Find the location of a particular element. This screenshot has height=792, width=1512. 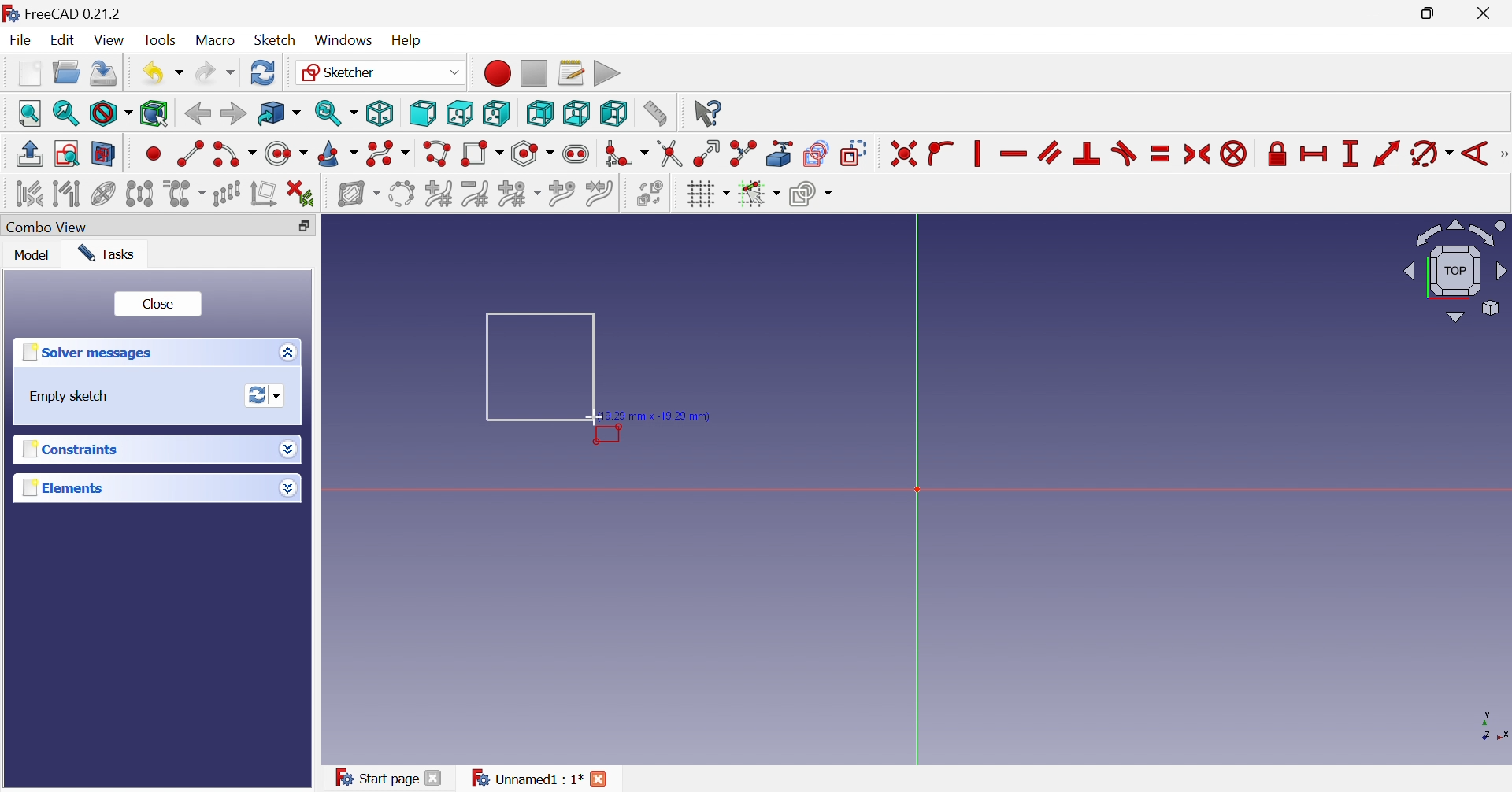

Create circle is located at coordinates (285, 154).